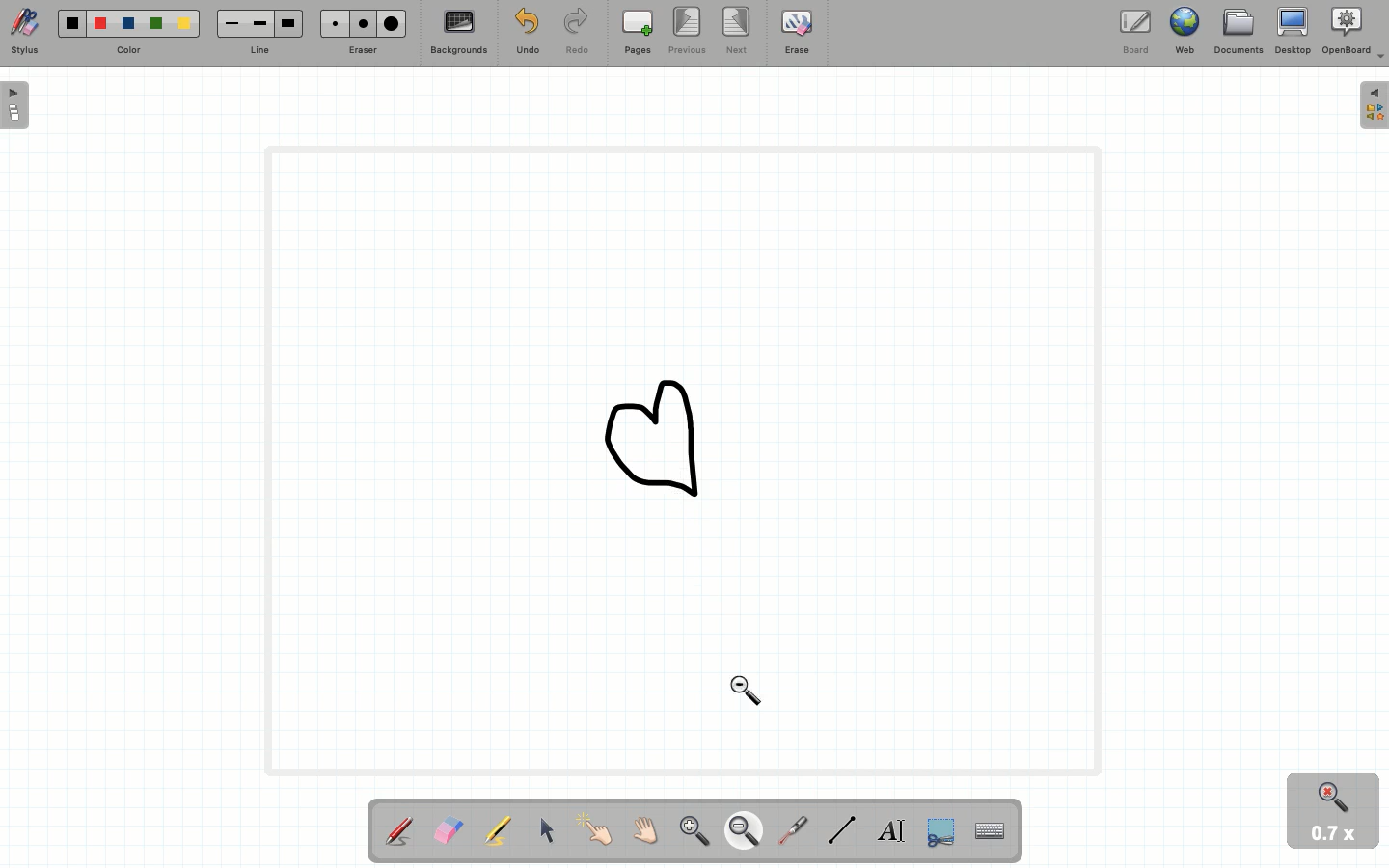  I want to click on Eraser, so click(364, 31).